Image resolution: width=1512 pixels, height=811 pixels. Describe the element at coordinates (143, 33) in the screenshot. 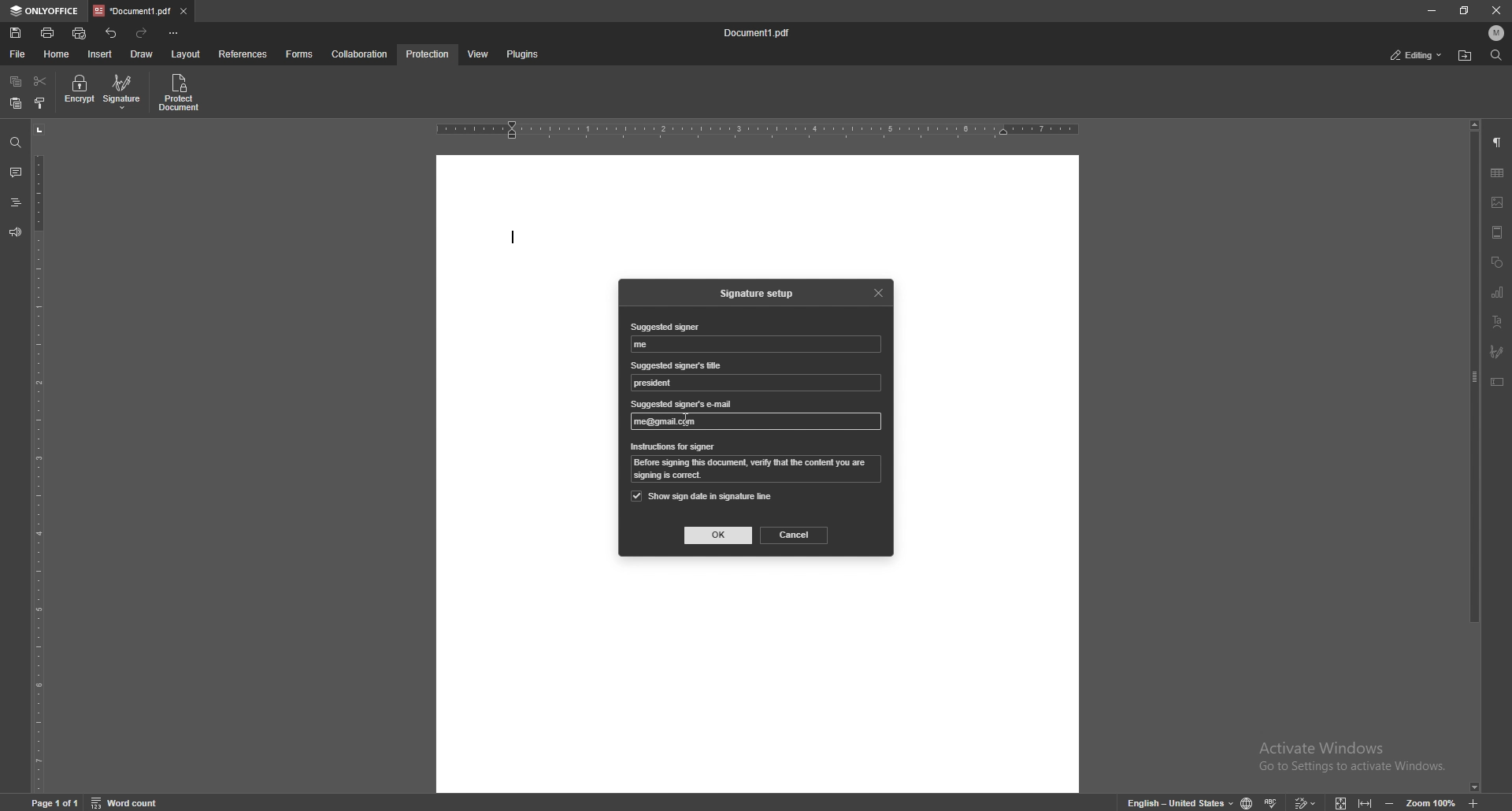

I see `redo` at that location.